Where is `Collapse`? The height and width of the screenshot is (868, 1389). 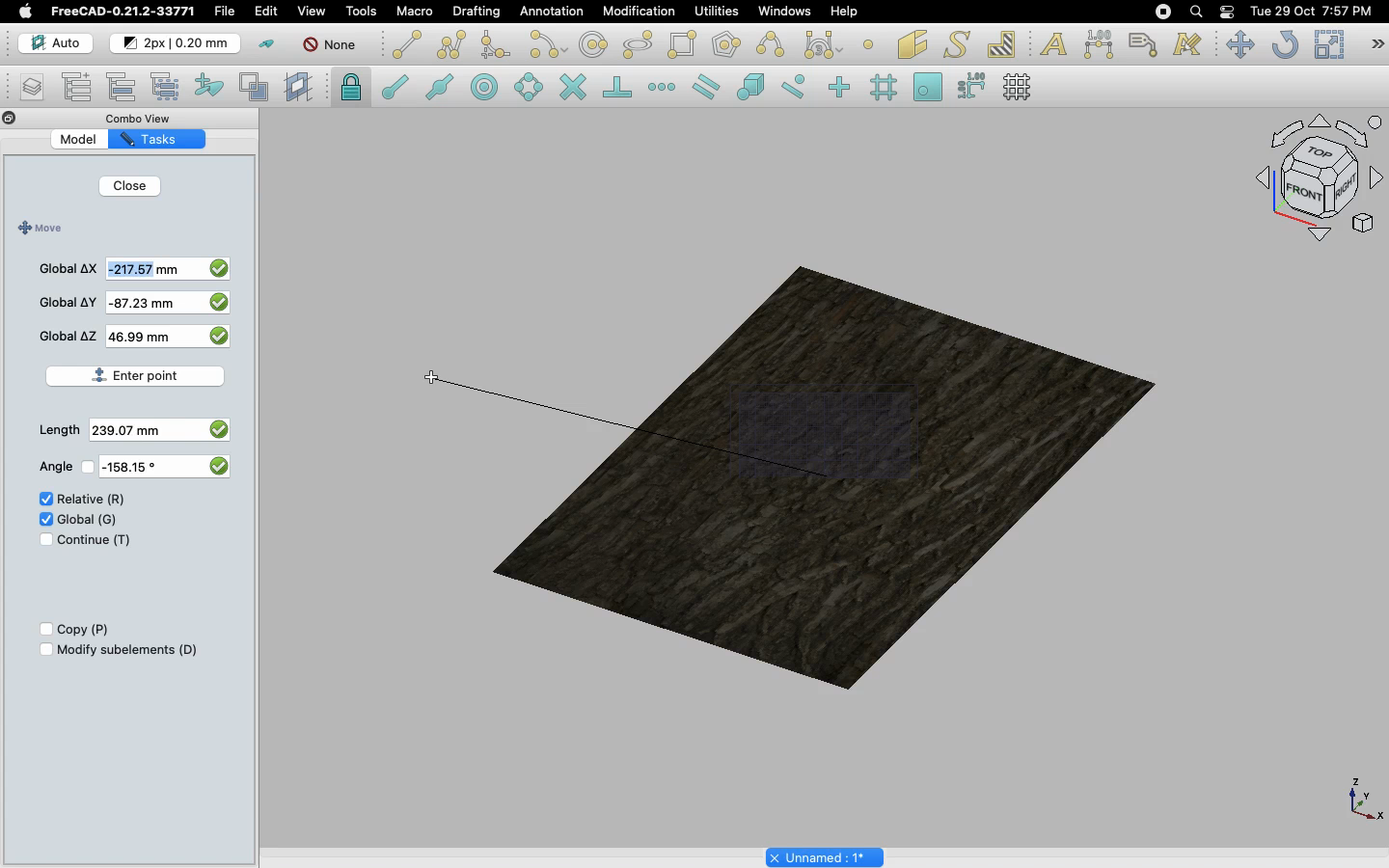 Collapse is located at coordinates (28, 119).